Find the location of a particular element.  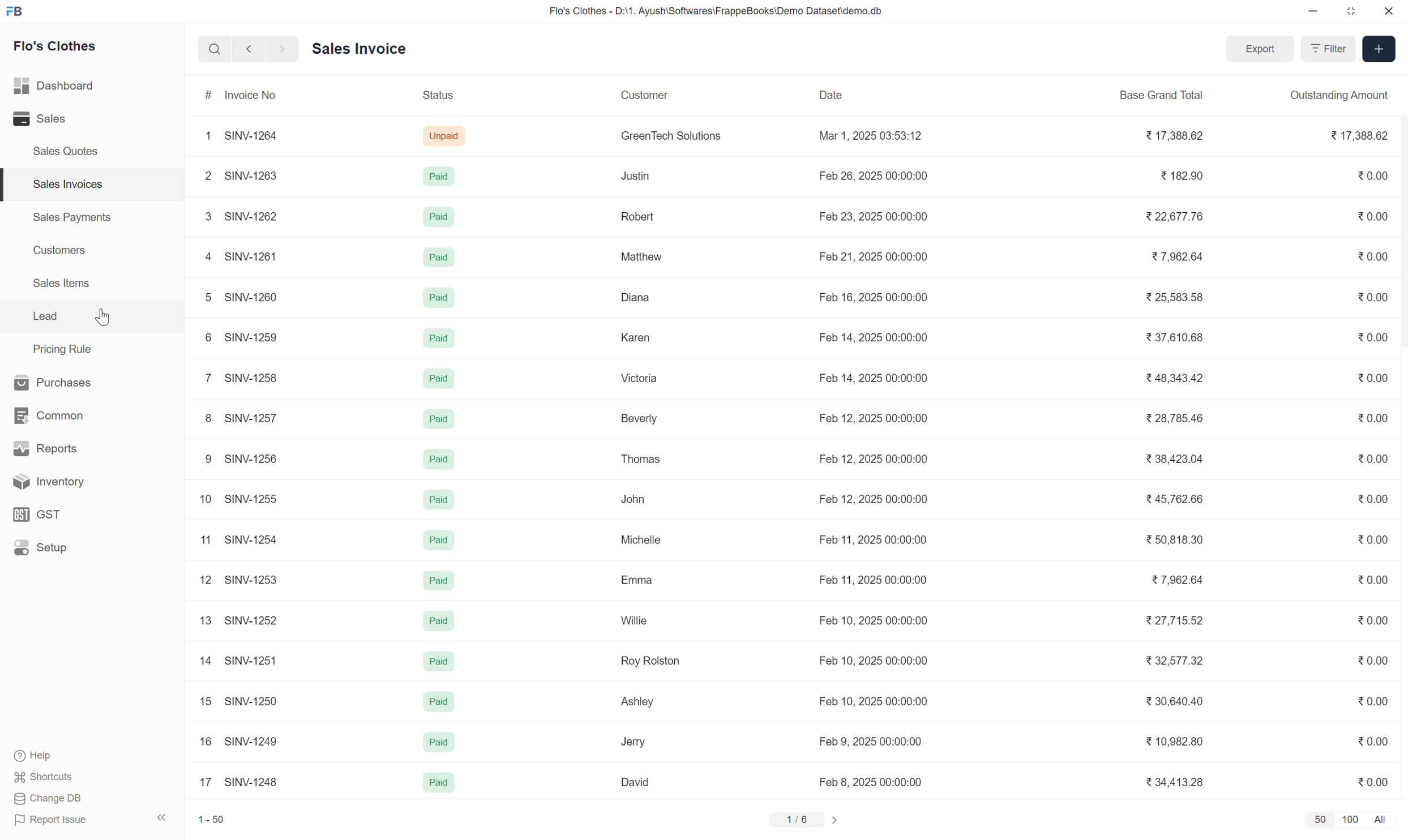

Robert is located at coordinates (636, 217).